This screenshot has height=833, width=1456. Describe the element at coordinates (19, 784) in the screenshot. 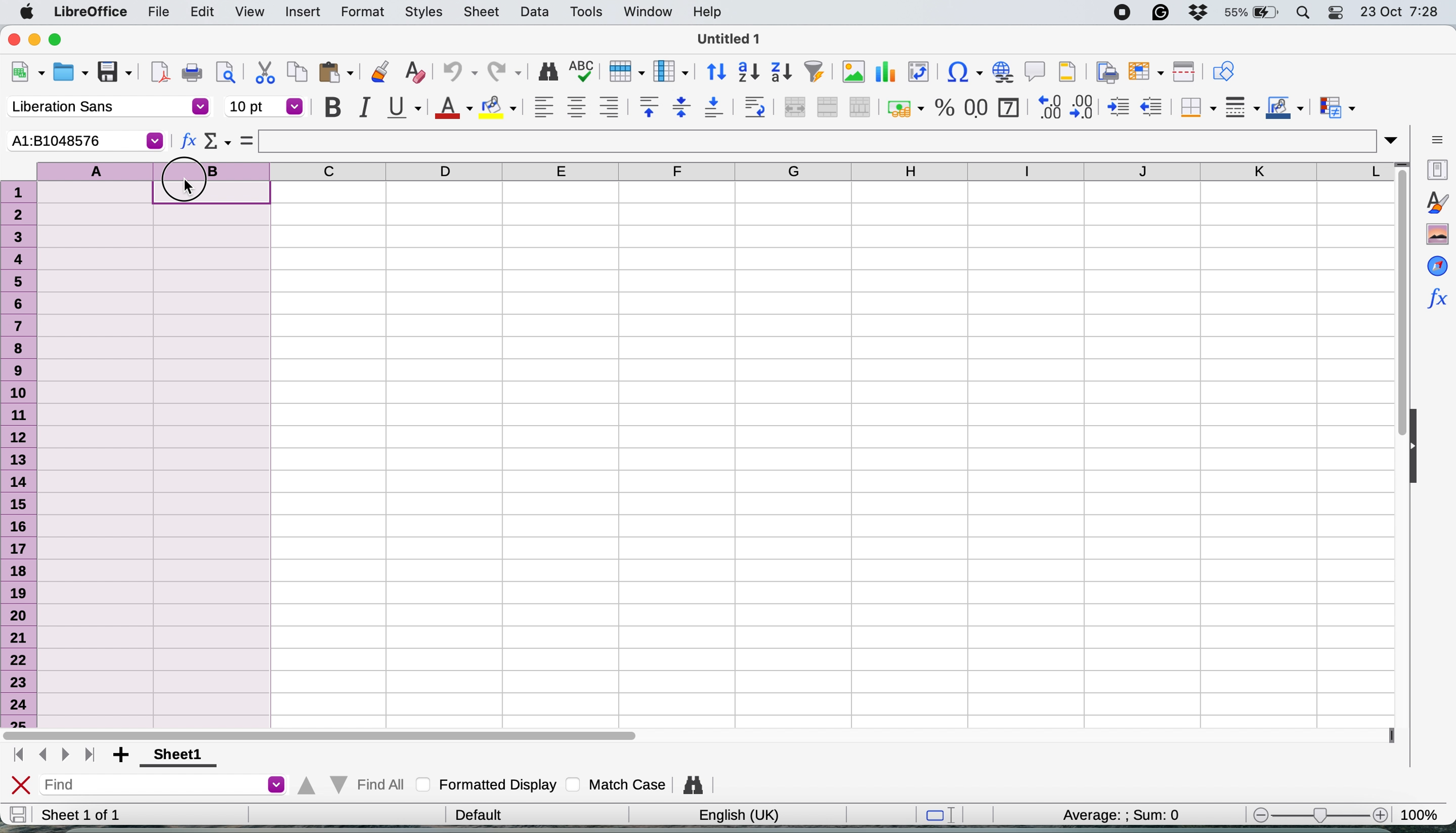

I see `close` at that location.